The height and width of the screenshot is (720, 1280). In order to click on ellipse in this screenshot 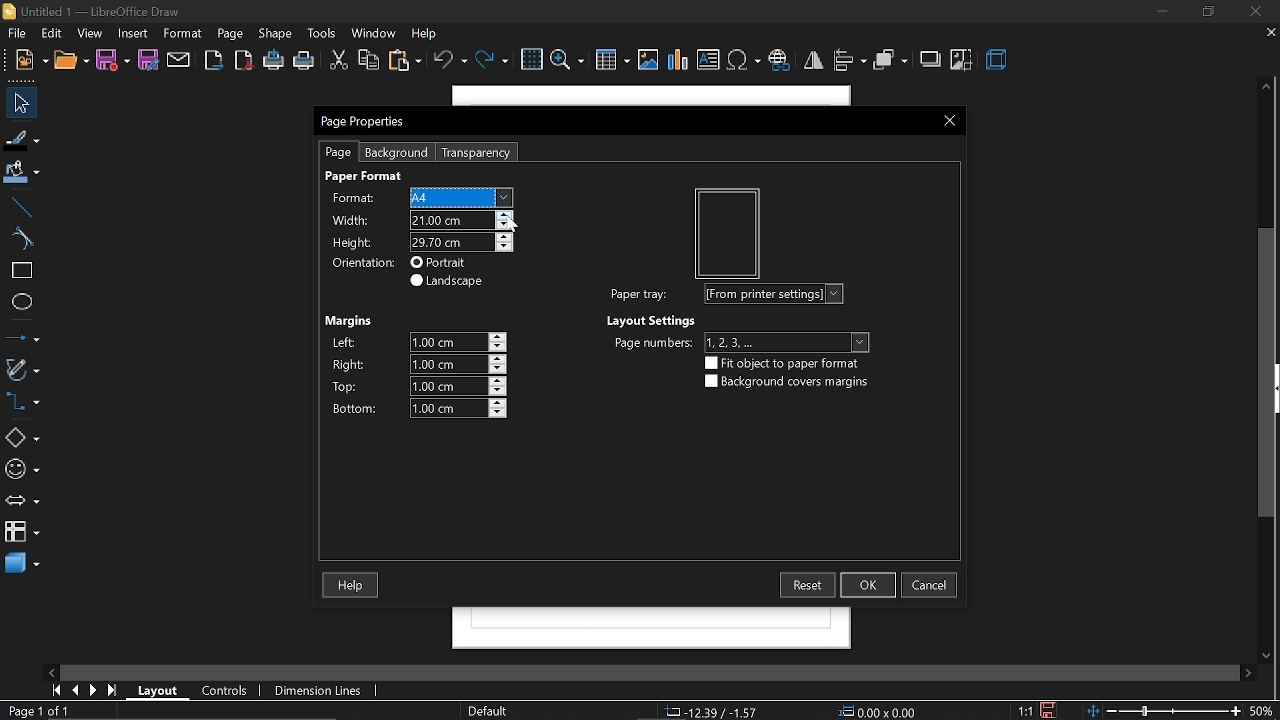, I will do `click(21, 304)`.